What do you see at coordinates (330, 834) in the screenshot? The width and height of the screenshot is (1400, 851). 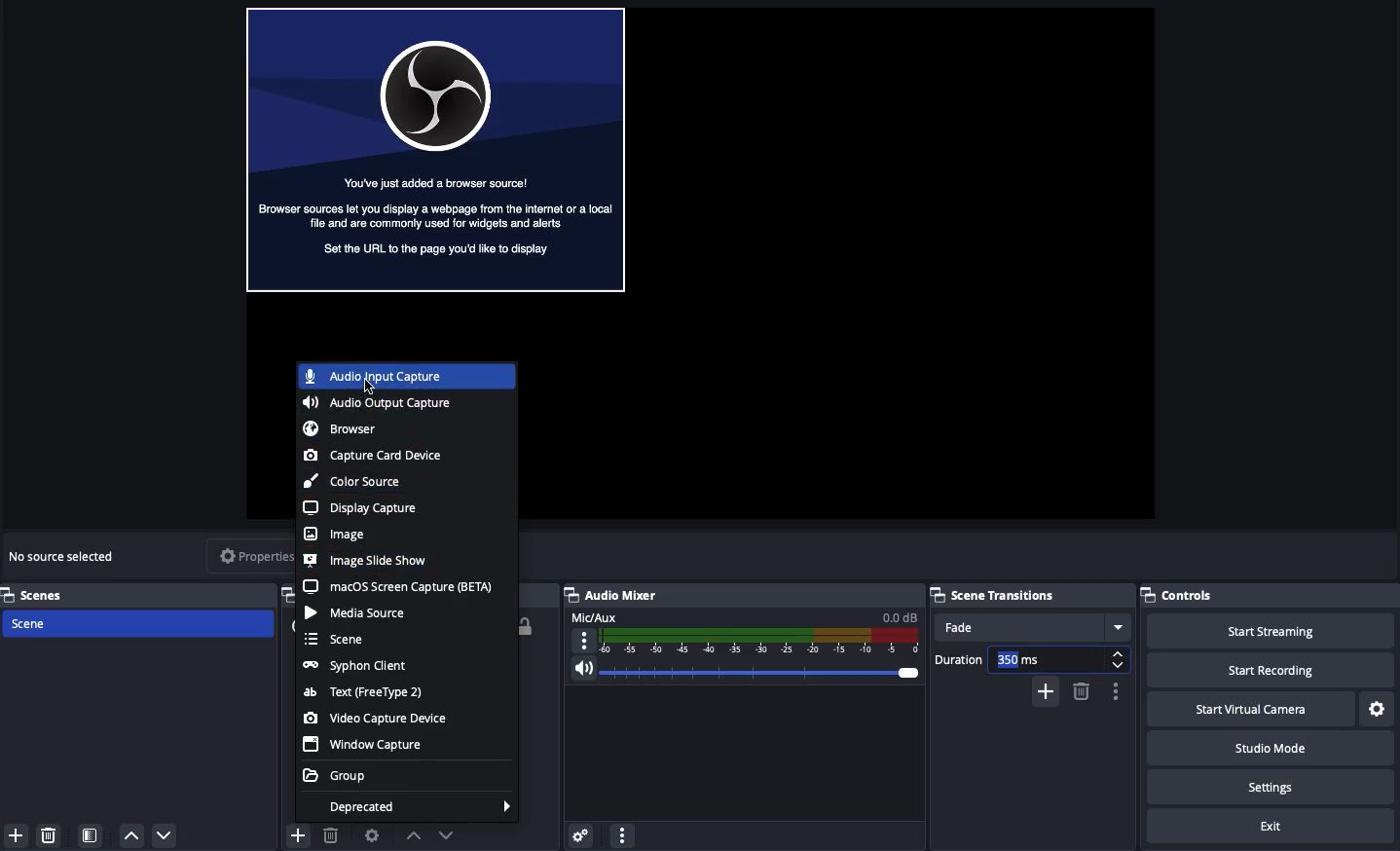 I see `Delete` at bounding box center [330, 834].